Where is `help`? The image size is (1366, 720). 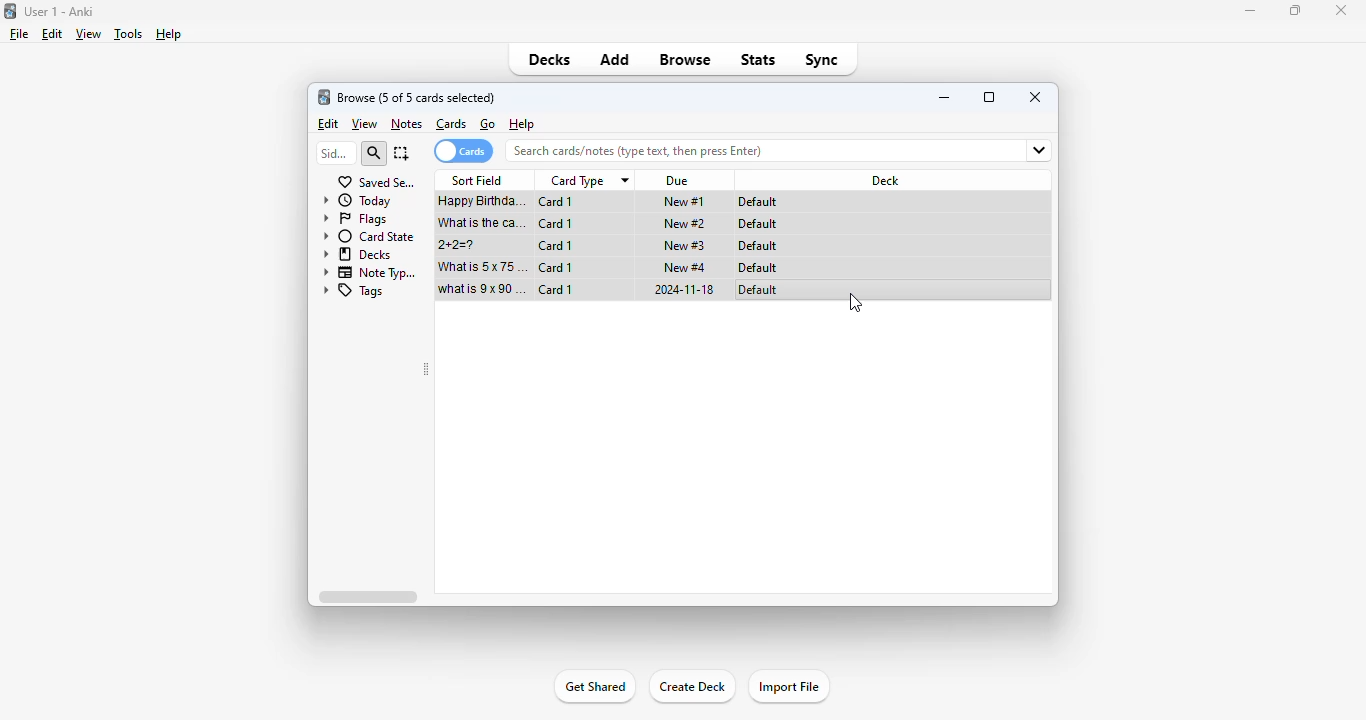 help is located at coordinates (168, 34).